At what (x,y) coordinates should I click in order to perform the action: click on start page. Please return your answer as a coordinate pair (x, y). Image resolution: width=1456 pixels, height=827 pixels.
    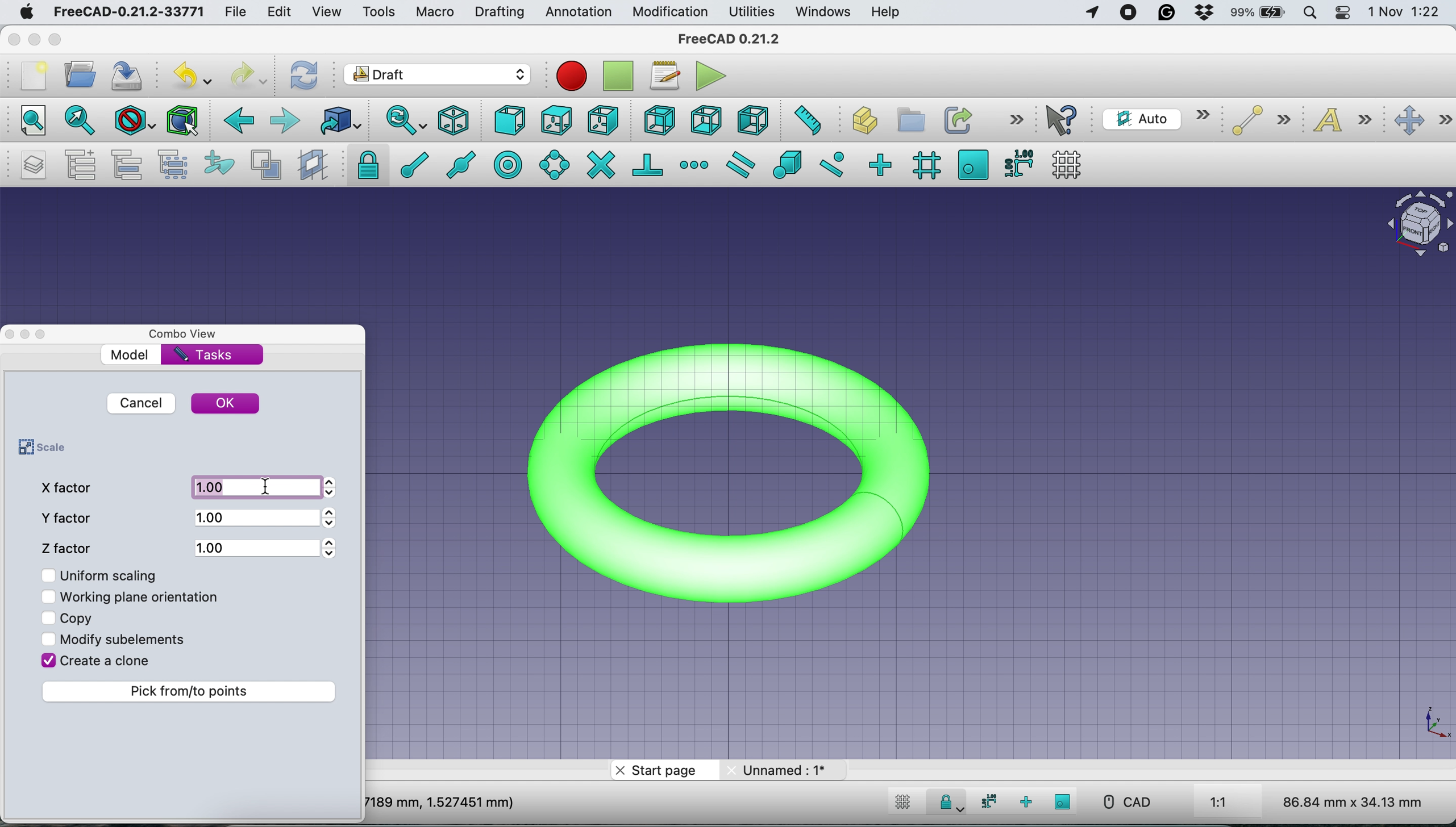
    Looking at the image, I should click on (662, 771).